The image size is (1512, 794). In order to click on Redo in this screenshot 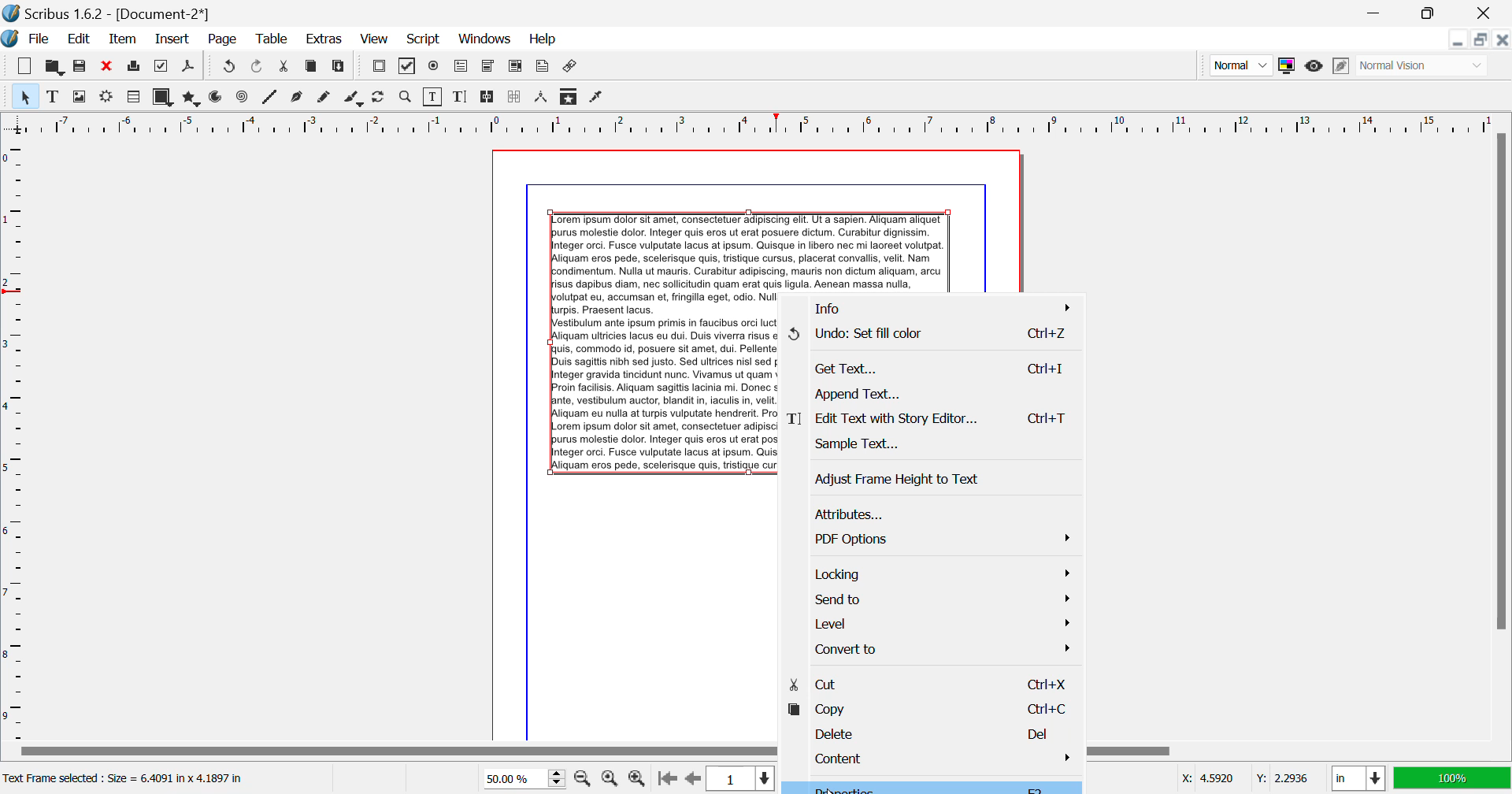, I will do `click(227, 68)`.